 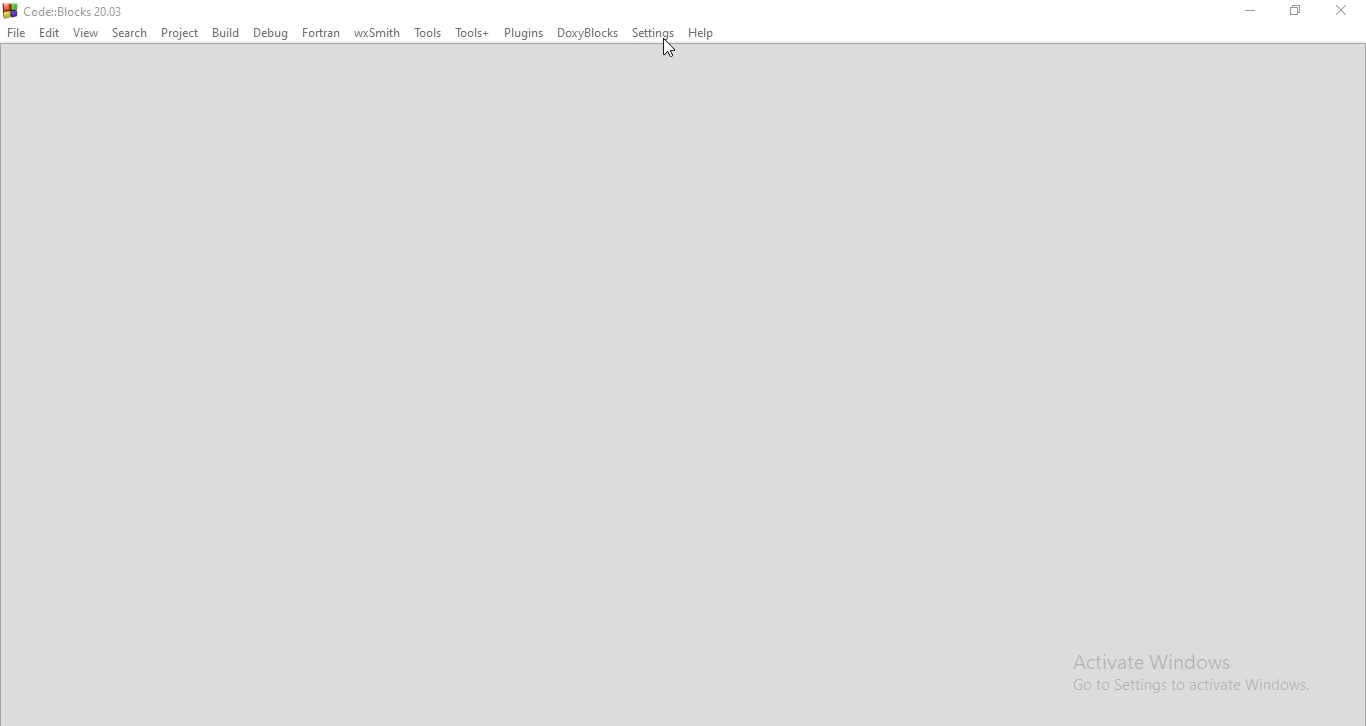 What do you see at coordinates (472, 34) in the screenshot?
I see `Tools+` at bounding box center [472, 34].